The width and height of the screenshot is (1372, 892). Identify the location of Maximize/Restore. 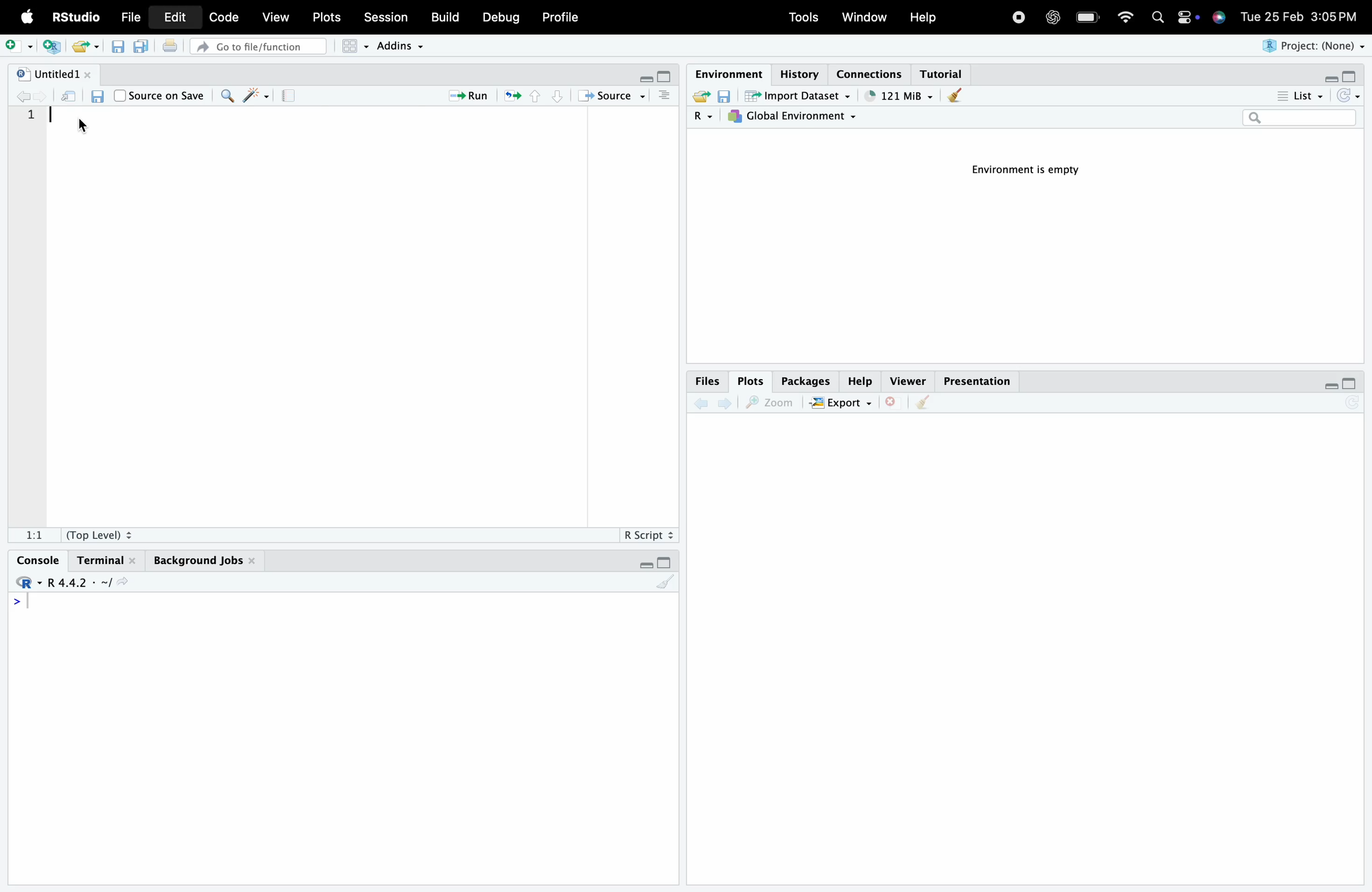
(1350, 74).